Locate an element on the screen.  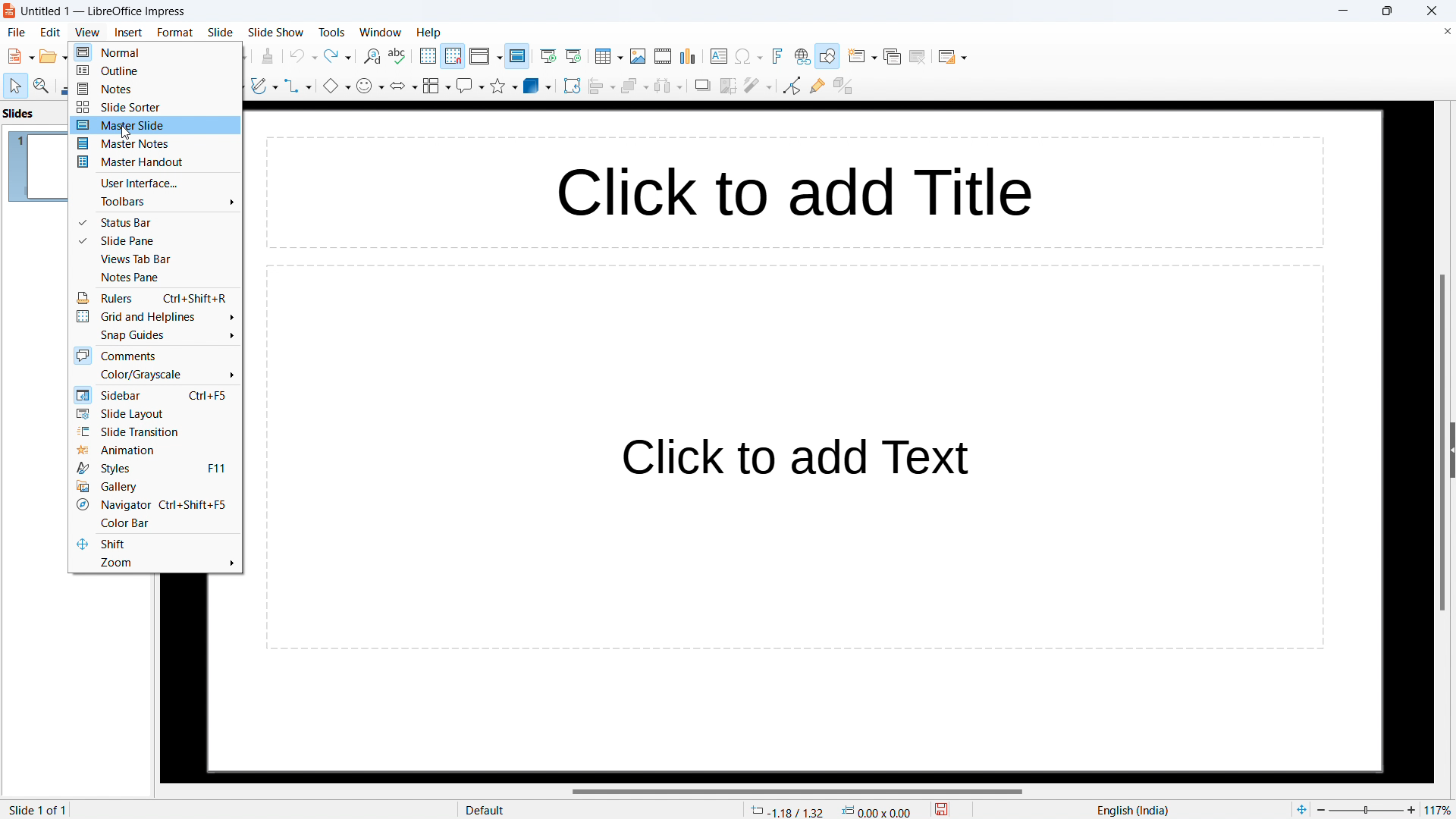
insert special character is located at coordinates (748, 56).